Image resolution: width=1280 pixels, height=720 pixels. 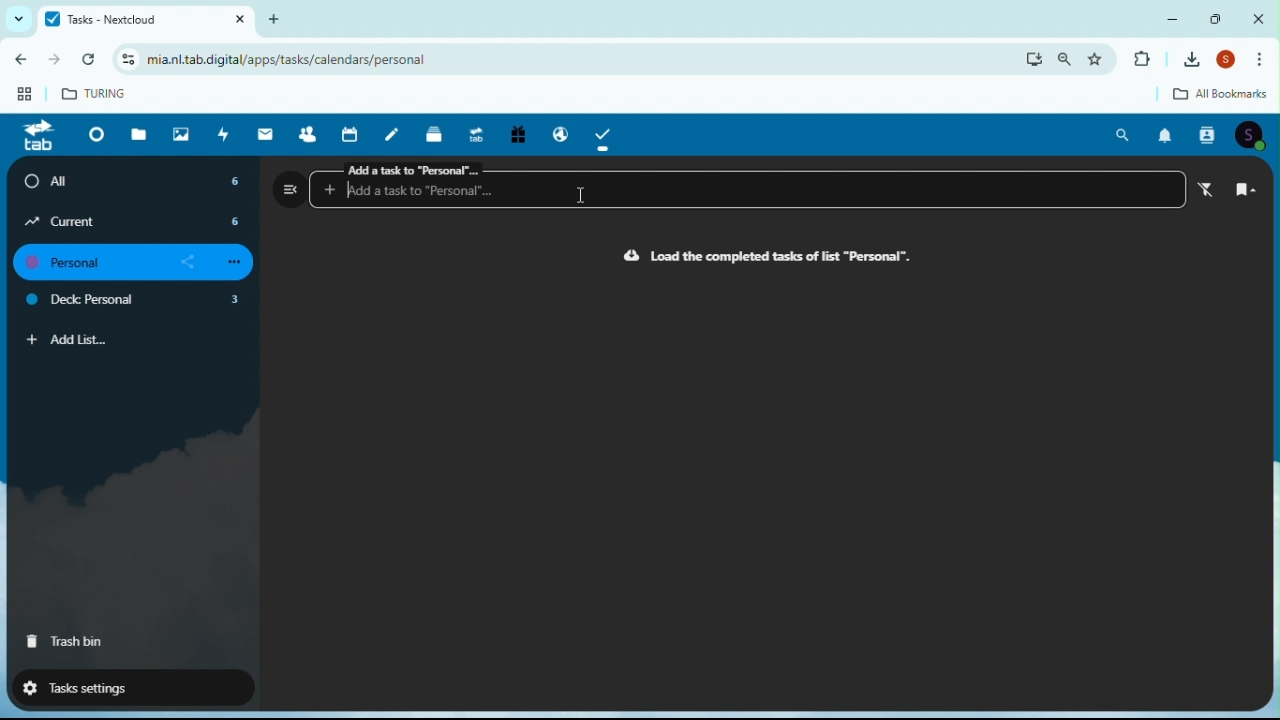 I want to click on Active filter, so click(x=1211, y=190).